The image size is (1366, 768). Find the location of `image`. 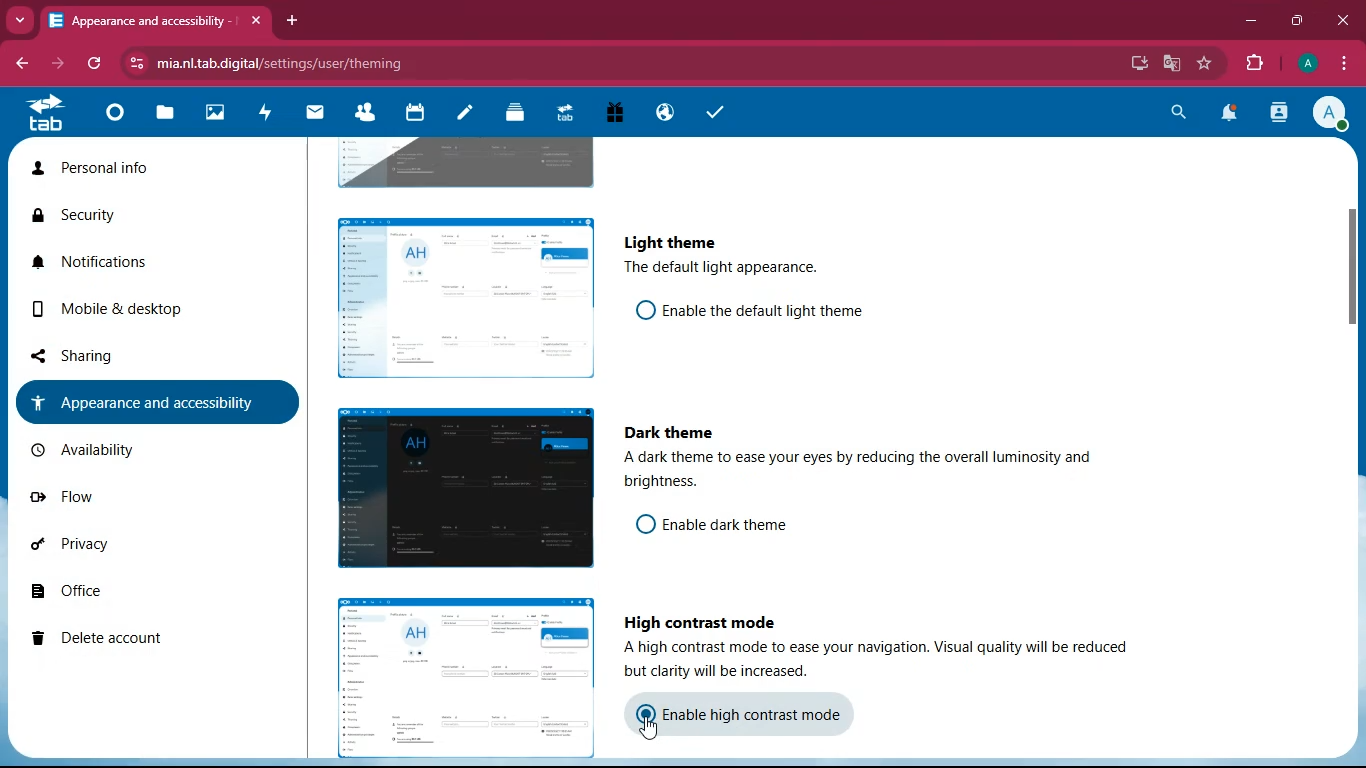

image is located at coordinates (460, 294).